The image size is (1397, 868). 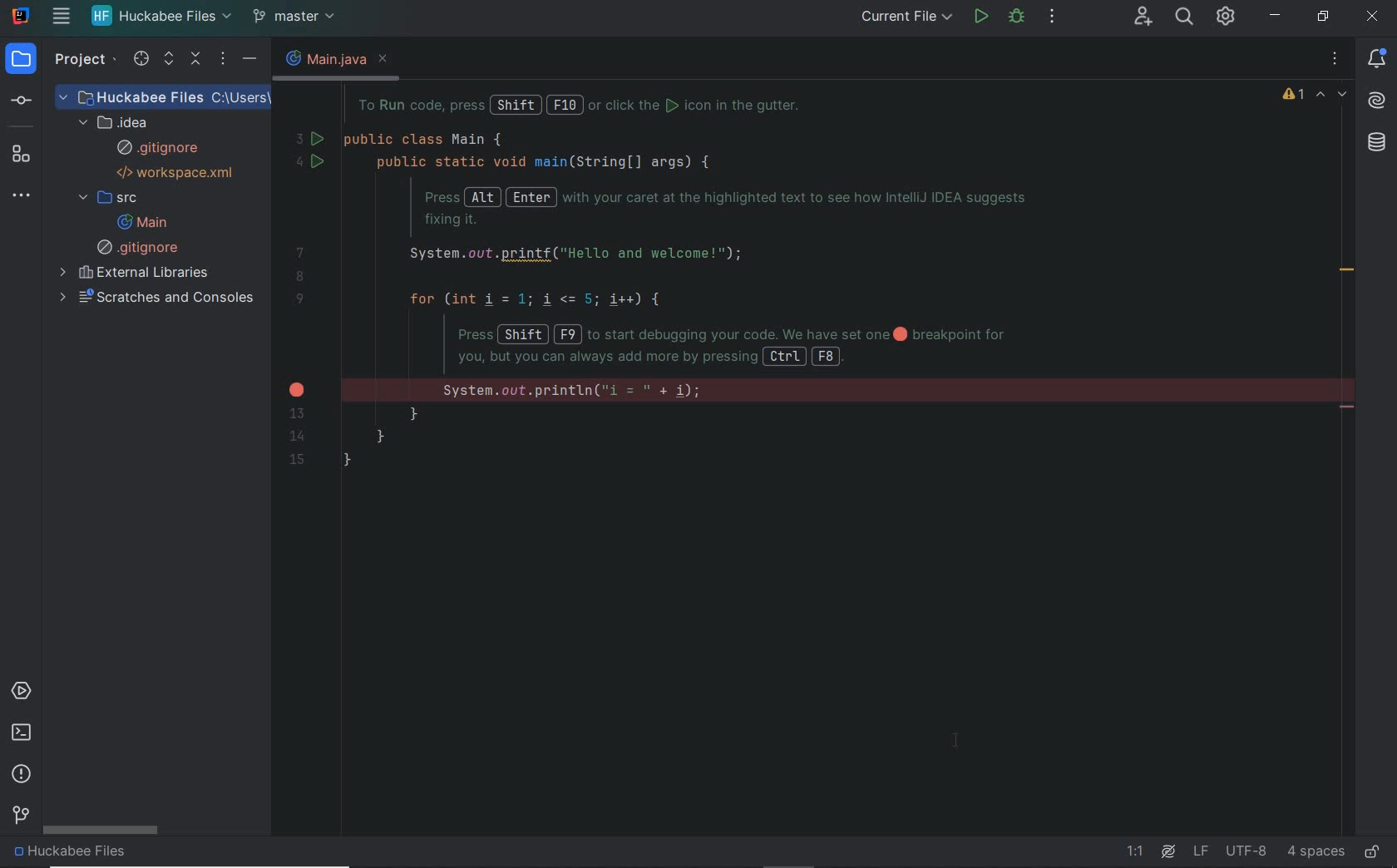 What do you see at coordinates (1143, 18) in the screenshot?
I see `code with me` at bounding box center [1143, 18].